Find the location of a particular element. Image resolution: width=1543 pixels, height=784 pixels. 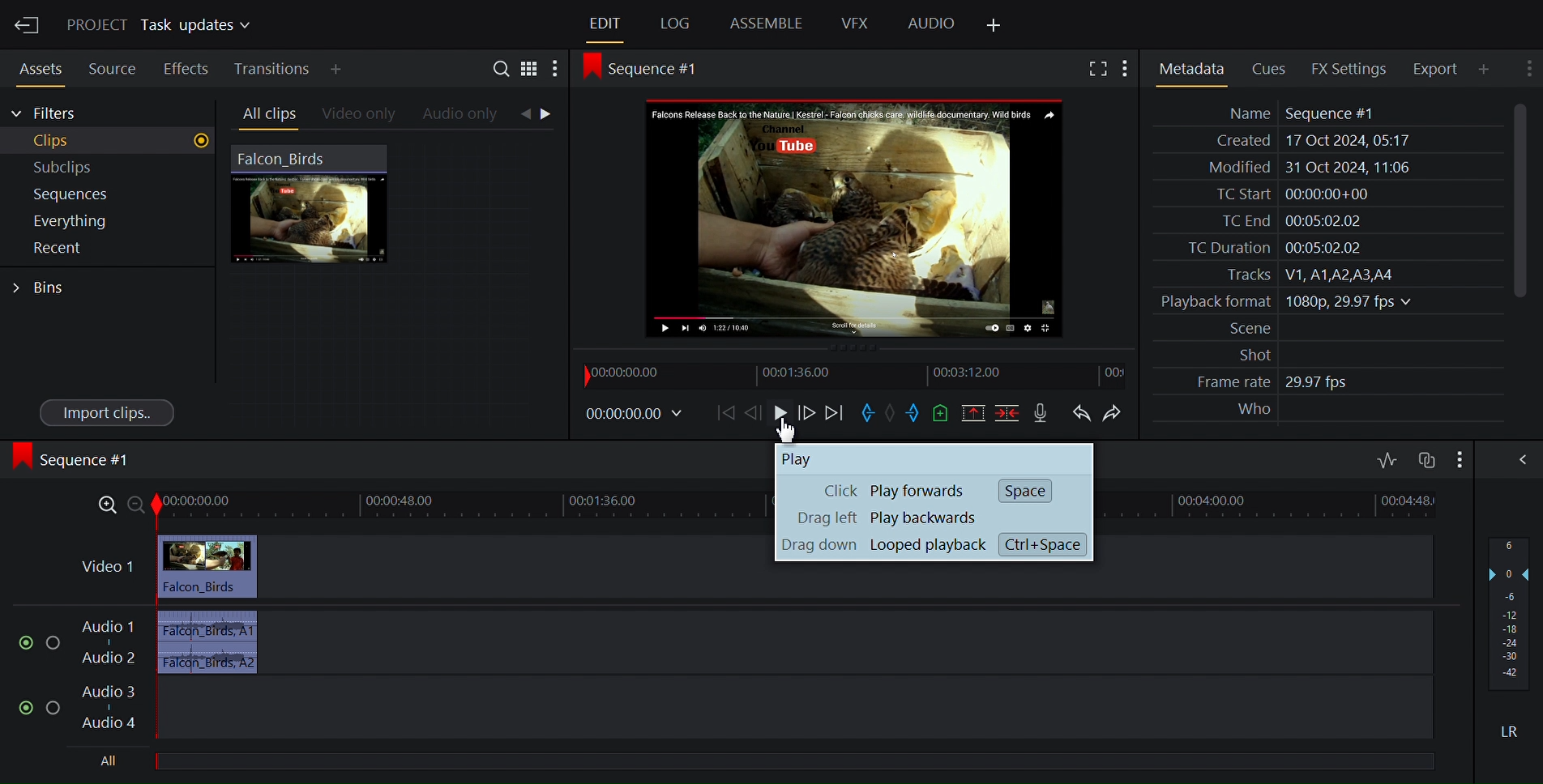

Cues is located at coordinates (1267, 68).